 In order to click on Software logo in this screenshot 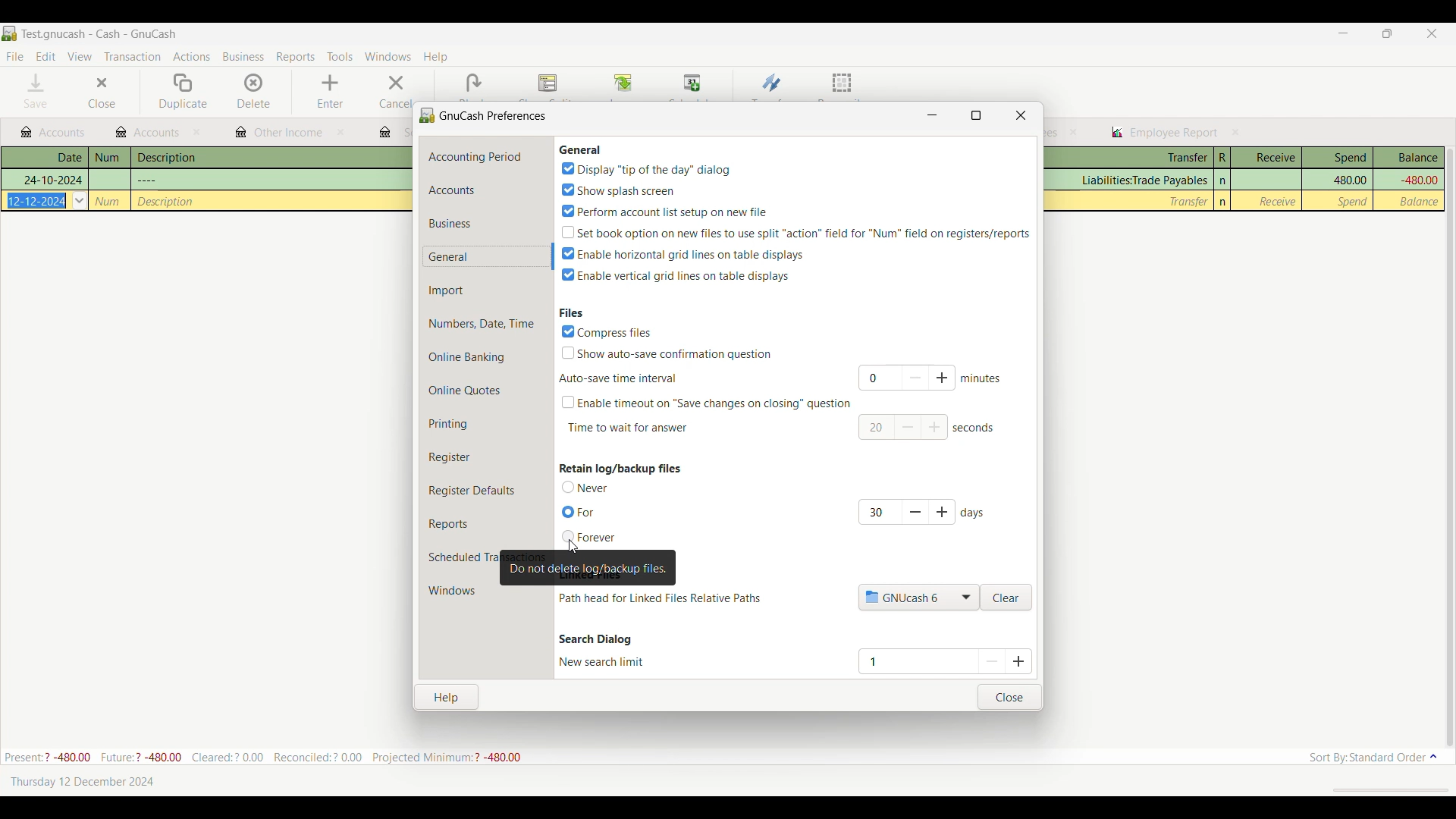, I will do `click(9, 33)`.